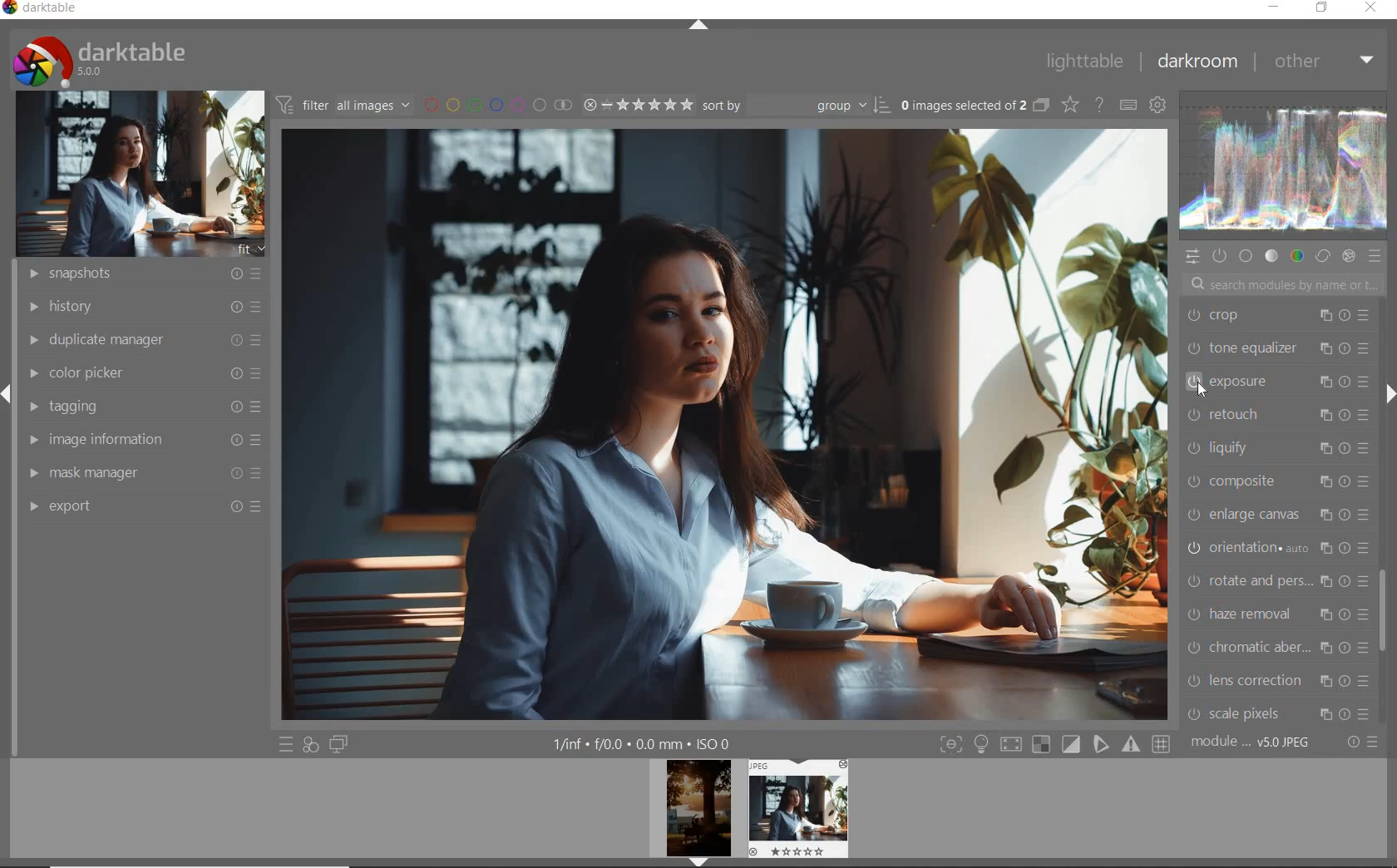 Image resolution: width=1397 pixels, height=868 pixels. Describe the element at coordinates (141, 340) in the screenshot. I see `DUPLICATE MANAGER` at that location.